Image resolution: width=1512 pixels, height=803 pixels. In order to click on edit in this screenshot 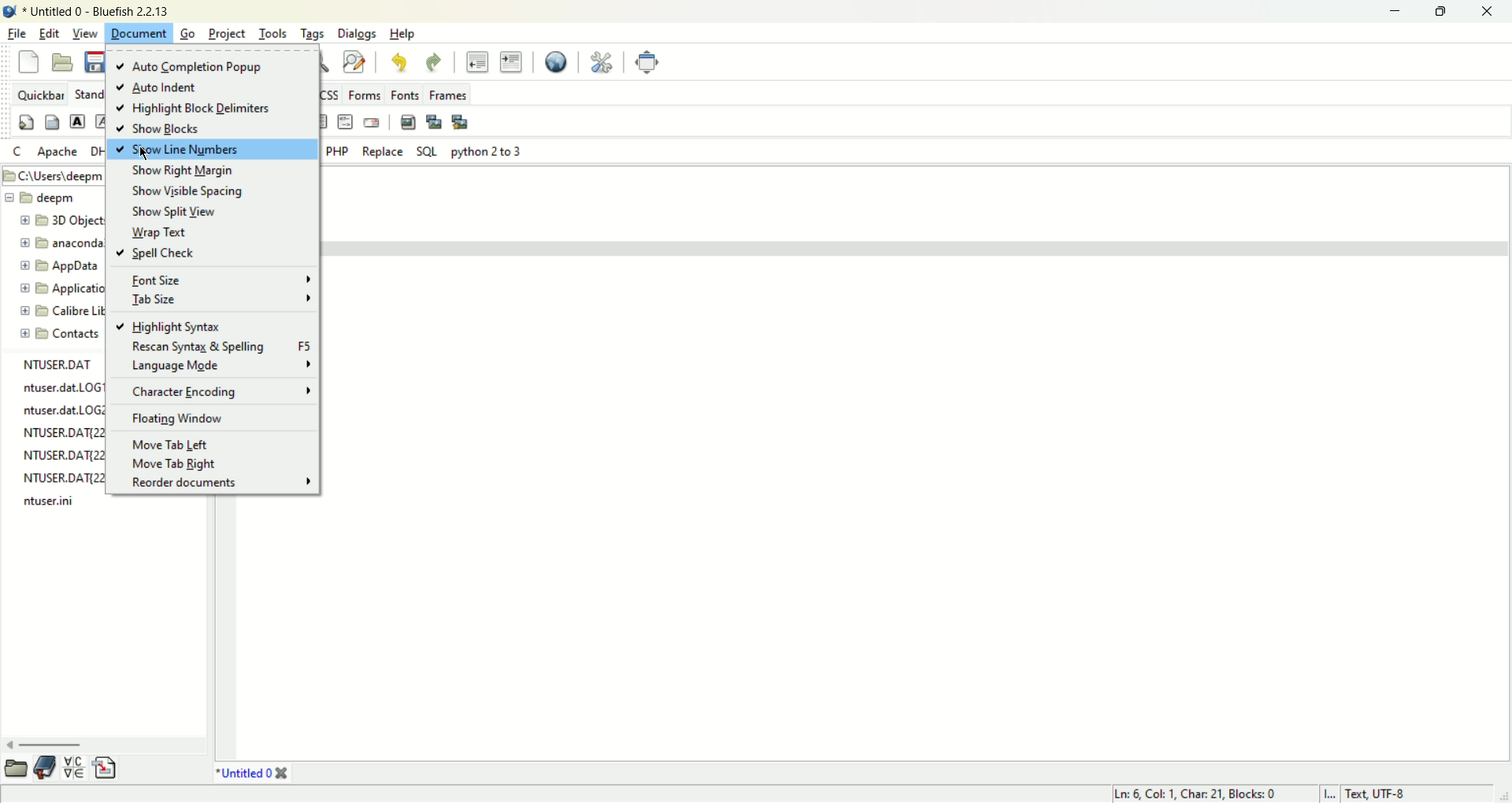, I will do `click(52, 33)`.